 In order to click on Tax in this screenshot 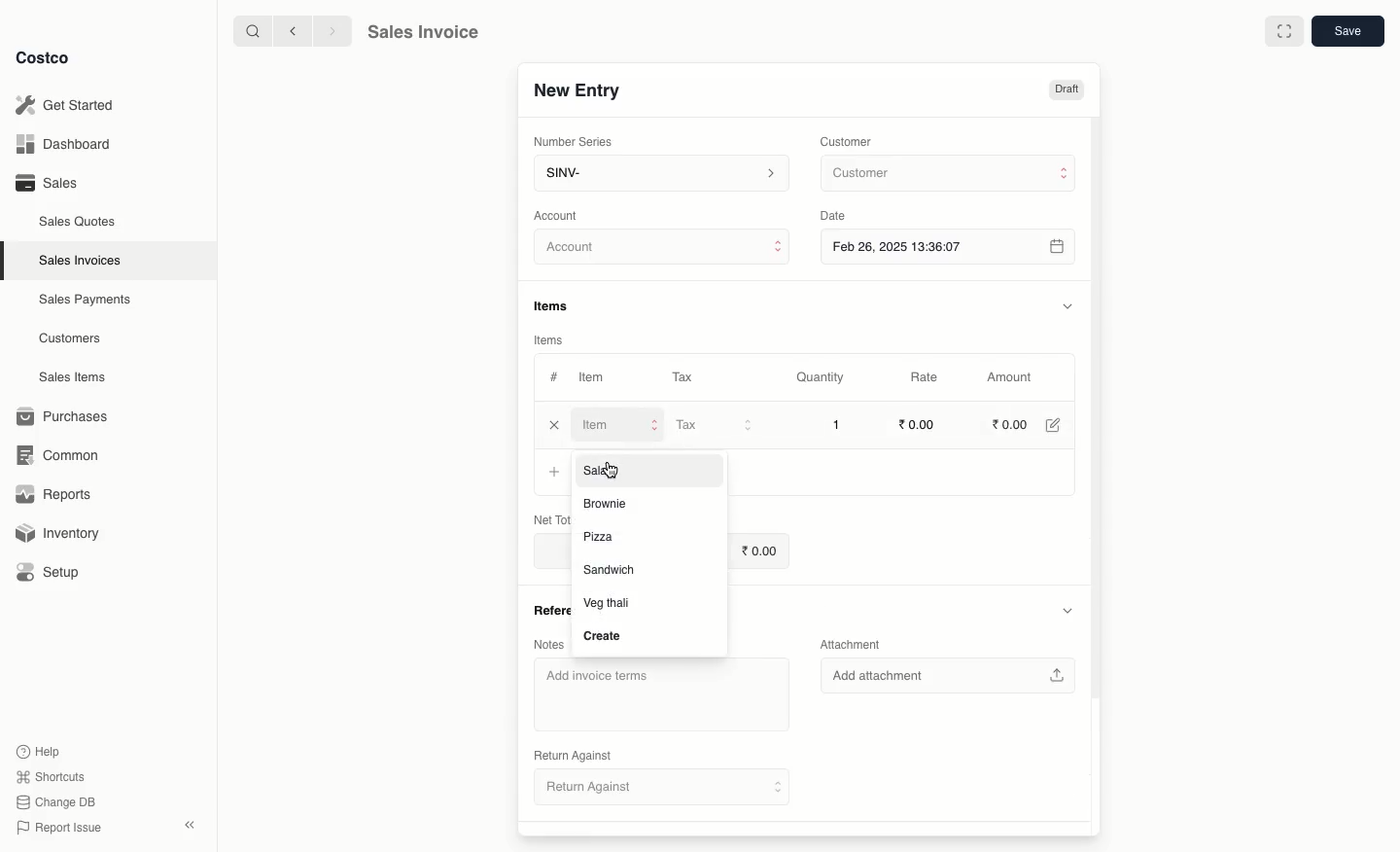, I will do `click(714, 425)`.